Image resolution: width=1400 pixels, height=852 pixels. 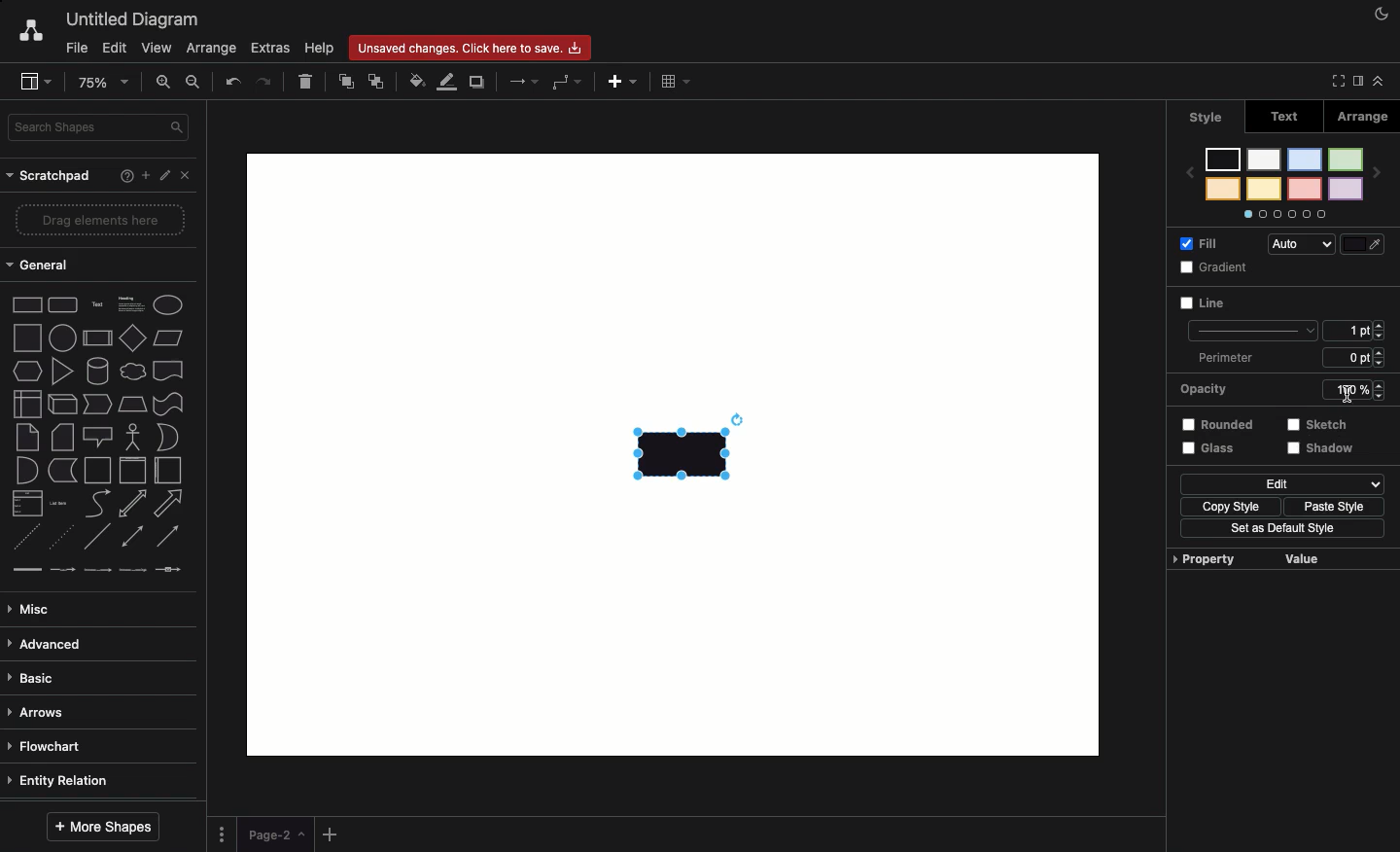 What do you see at coordinates (1355, 391) in the screenshot?
I see `100%` at bounding box center [1355, 391].